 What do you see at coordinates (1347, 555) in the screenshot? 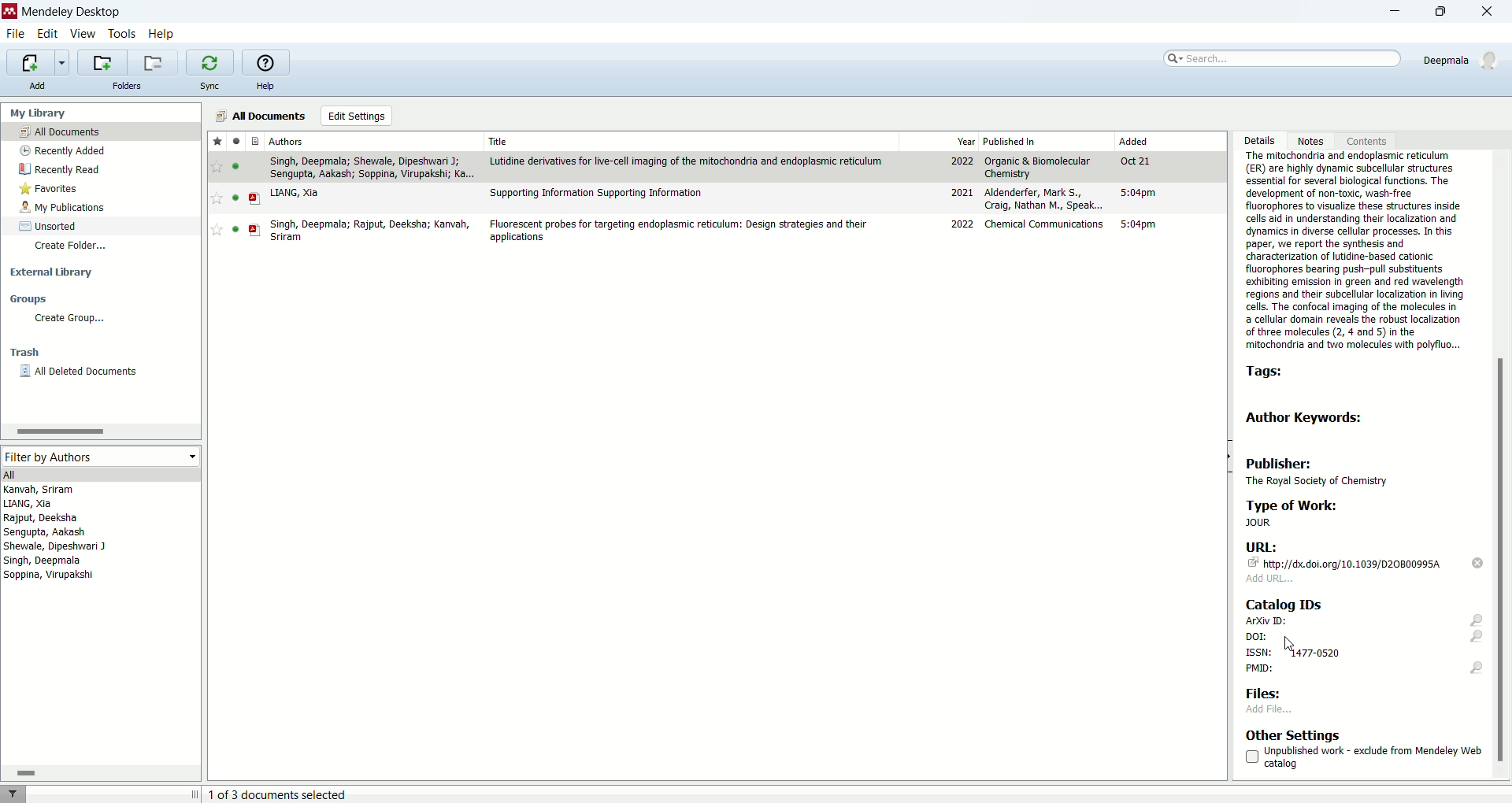
I see `URL: http://dx.doi.org/10.1039/D20B00995A` at bounding box center [1347, 555].